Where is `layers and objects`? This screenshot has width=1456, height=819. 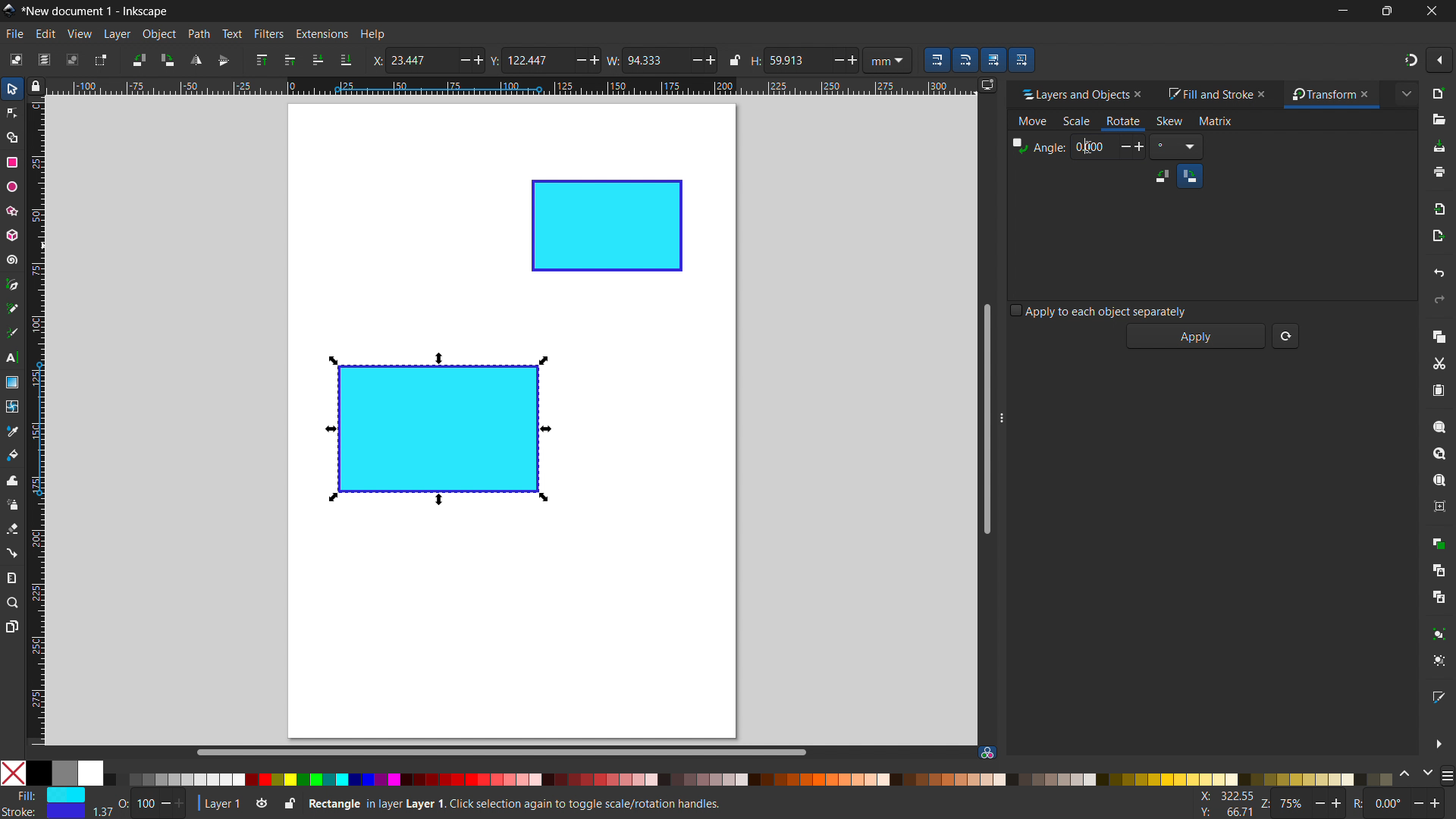 layers and objects is located at coordinates (1070, 94).